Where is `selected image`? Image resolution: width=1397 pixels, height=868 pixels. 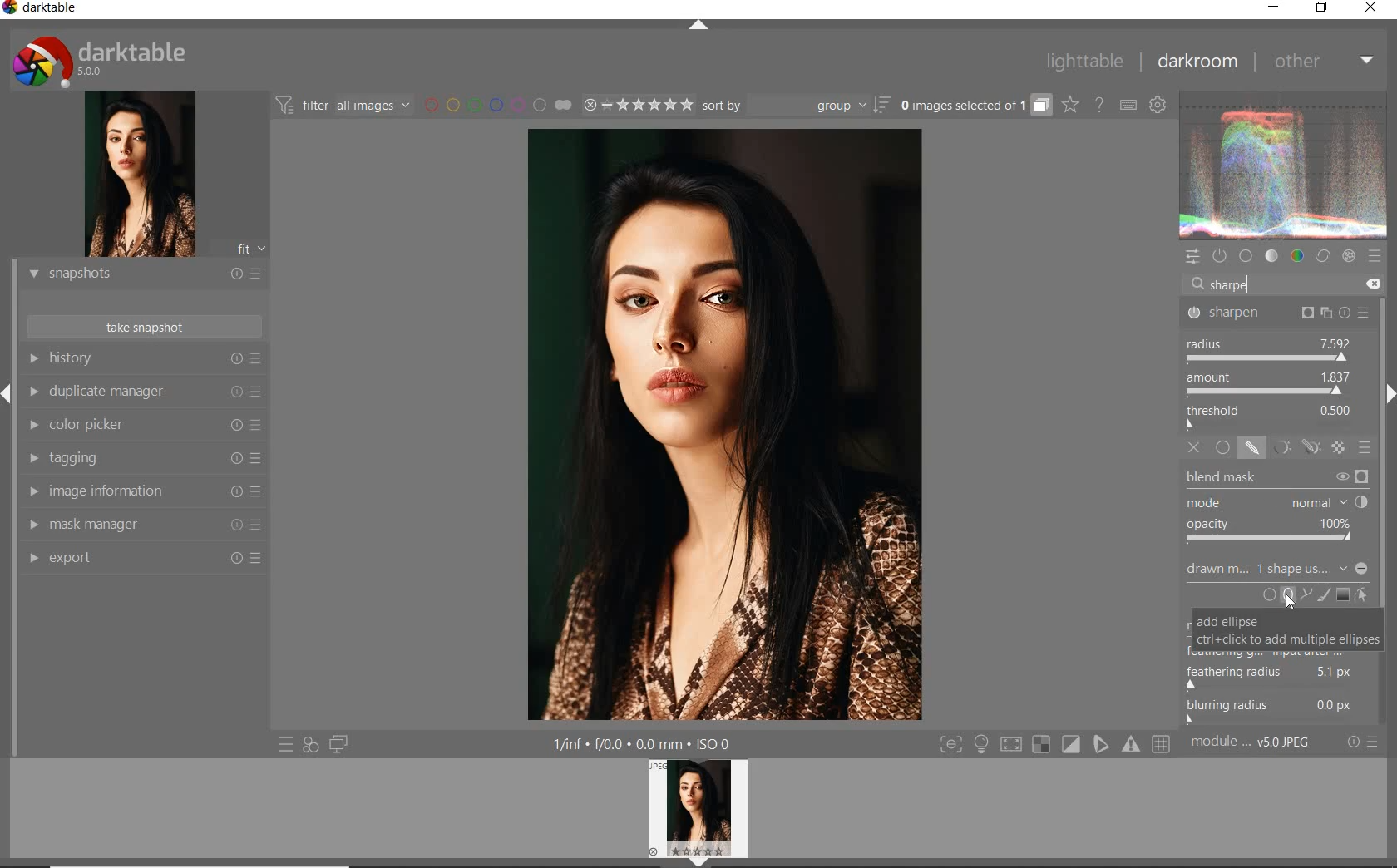 selected image is located at coordinates (722, 427).